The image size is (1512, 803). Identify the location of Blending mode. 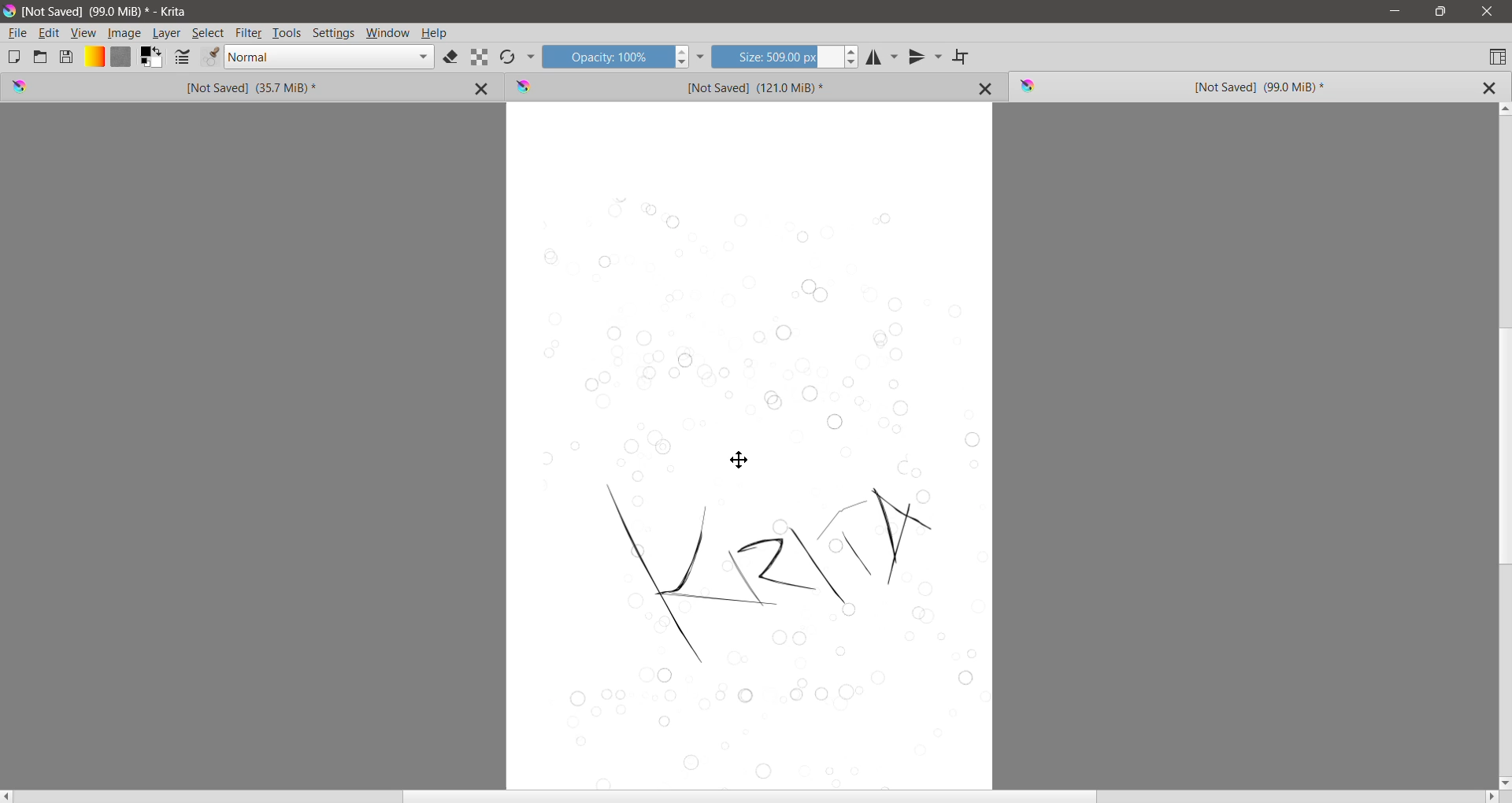
(329, 57).